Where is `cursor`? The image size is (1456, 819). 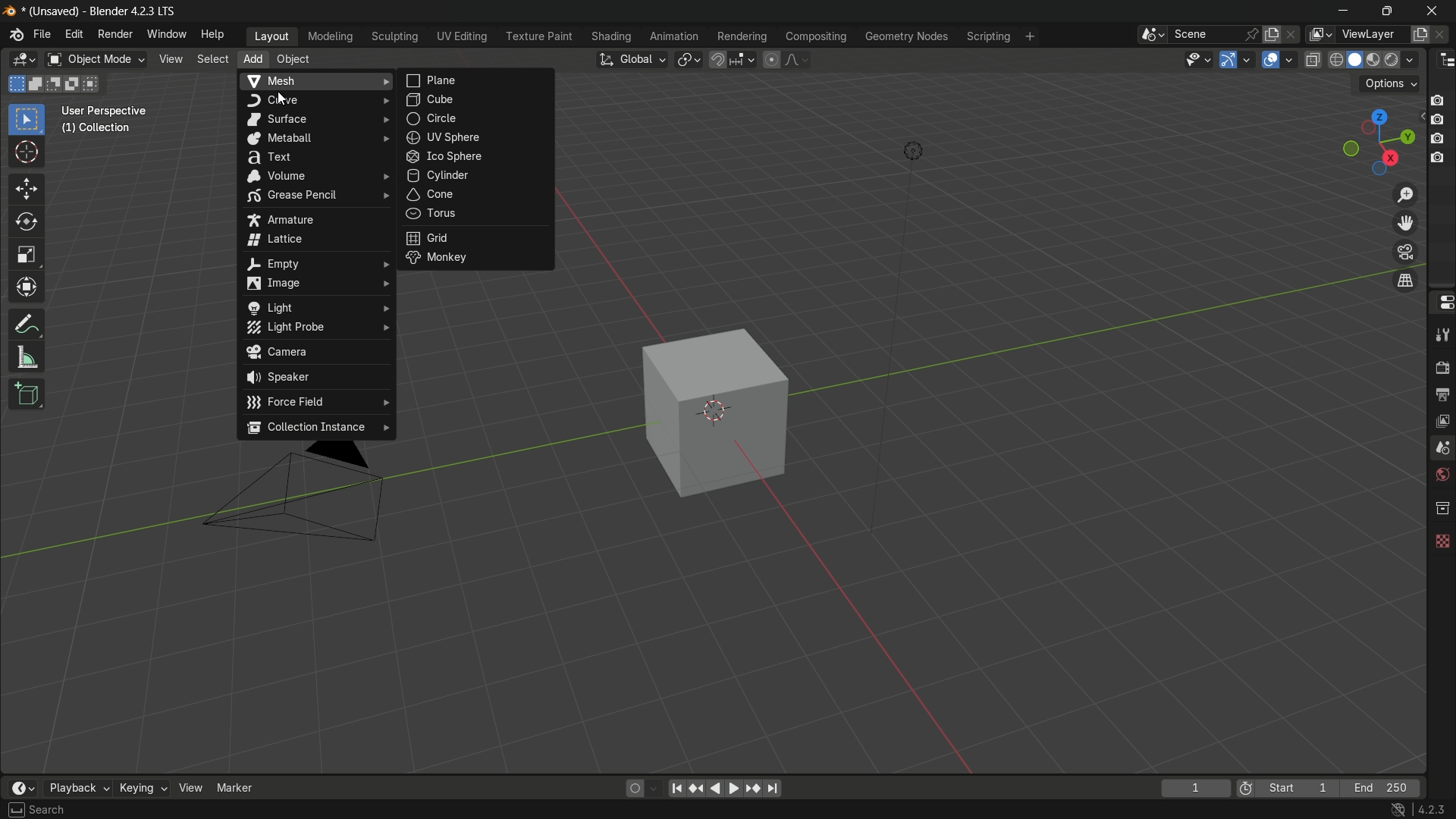 cursor is located at coordinates (27, 153).